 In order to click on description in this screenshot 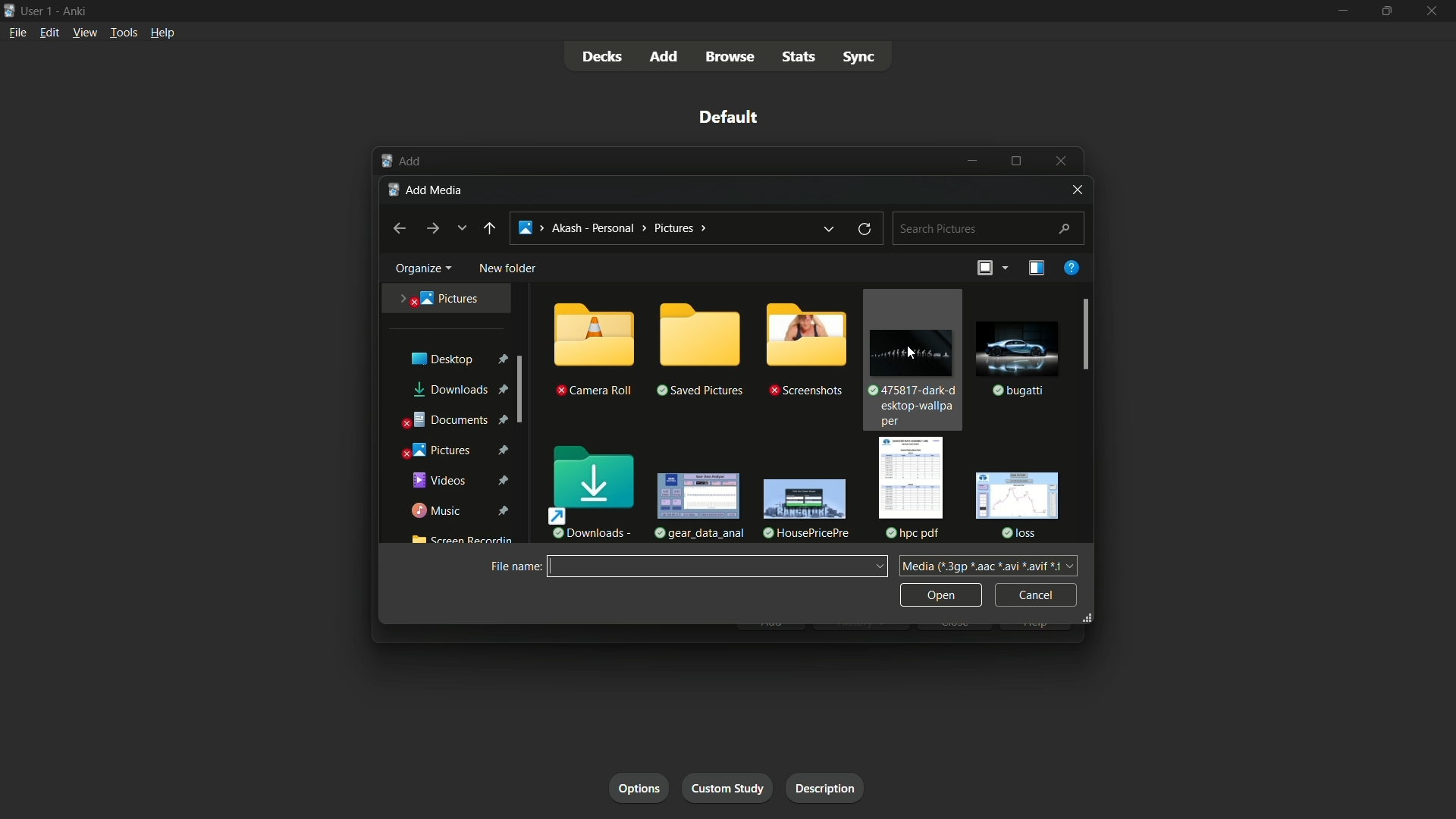, I will do `click(822, 786)`.